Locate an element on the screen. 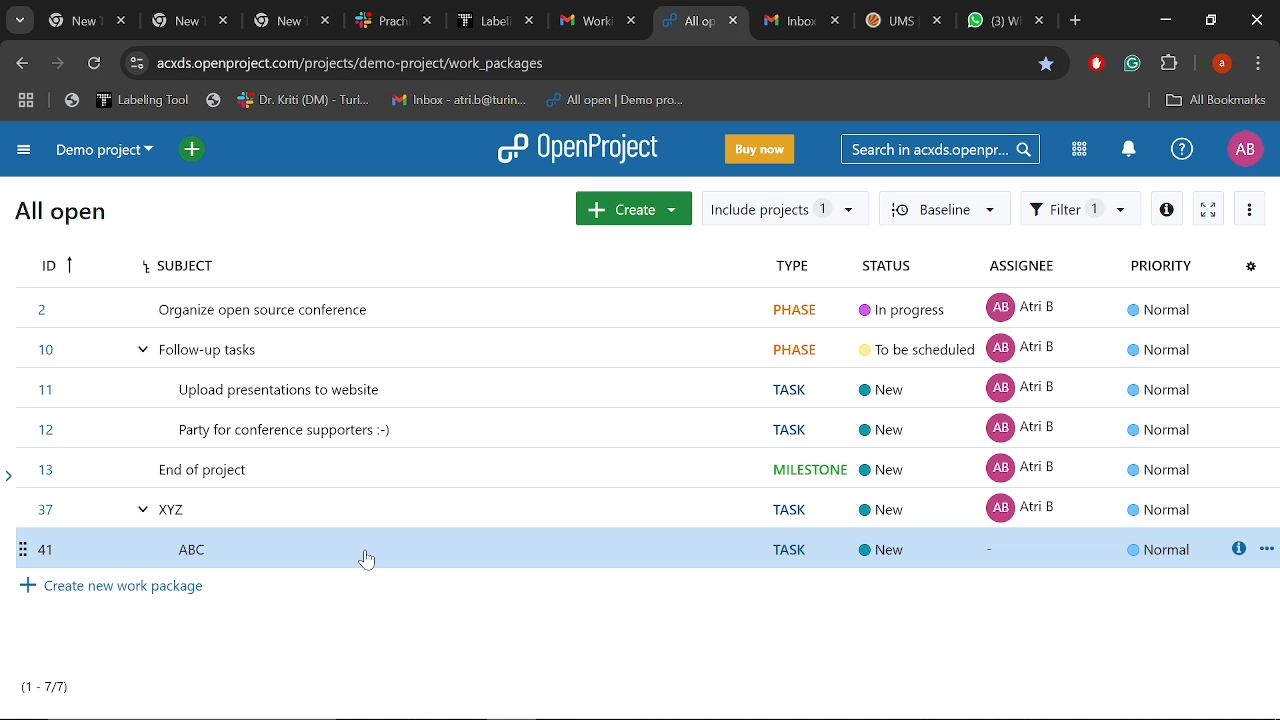 Image resolution: width=1280 pixels, height=720 pixels. ID is located at coordinates (56, 266).